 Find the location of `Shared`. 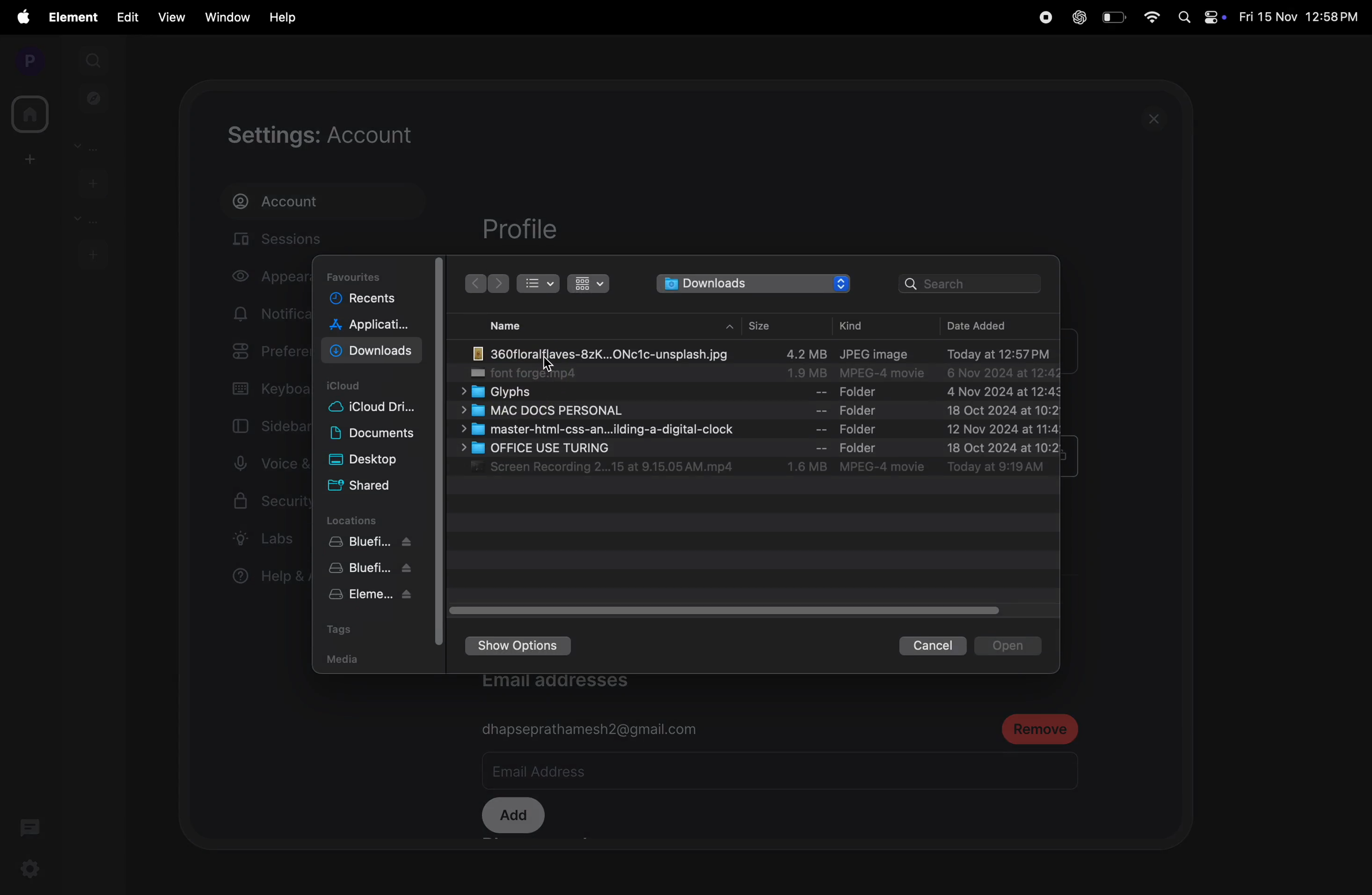

Shared is located at coordinates (365, 488).